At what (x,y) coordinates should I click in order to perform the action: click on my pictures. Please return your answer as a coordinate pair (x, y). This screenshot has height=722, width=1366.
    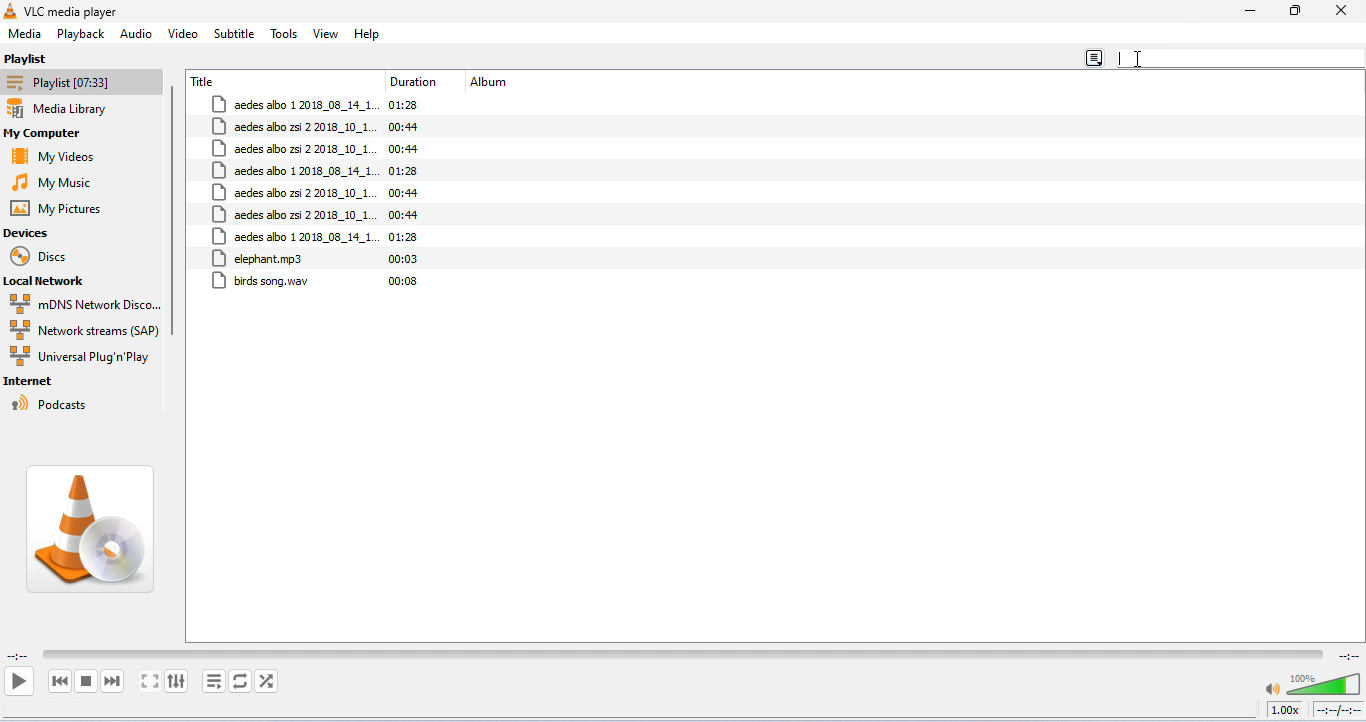
    Looking at the image, I should click on (62, 209).